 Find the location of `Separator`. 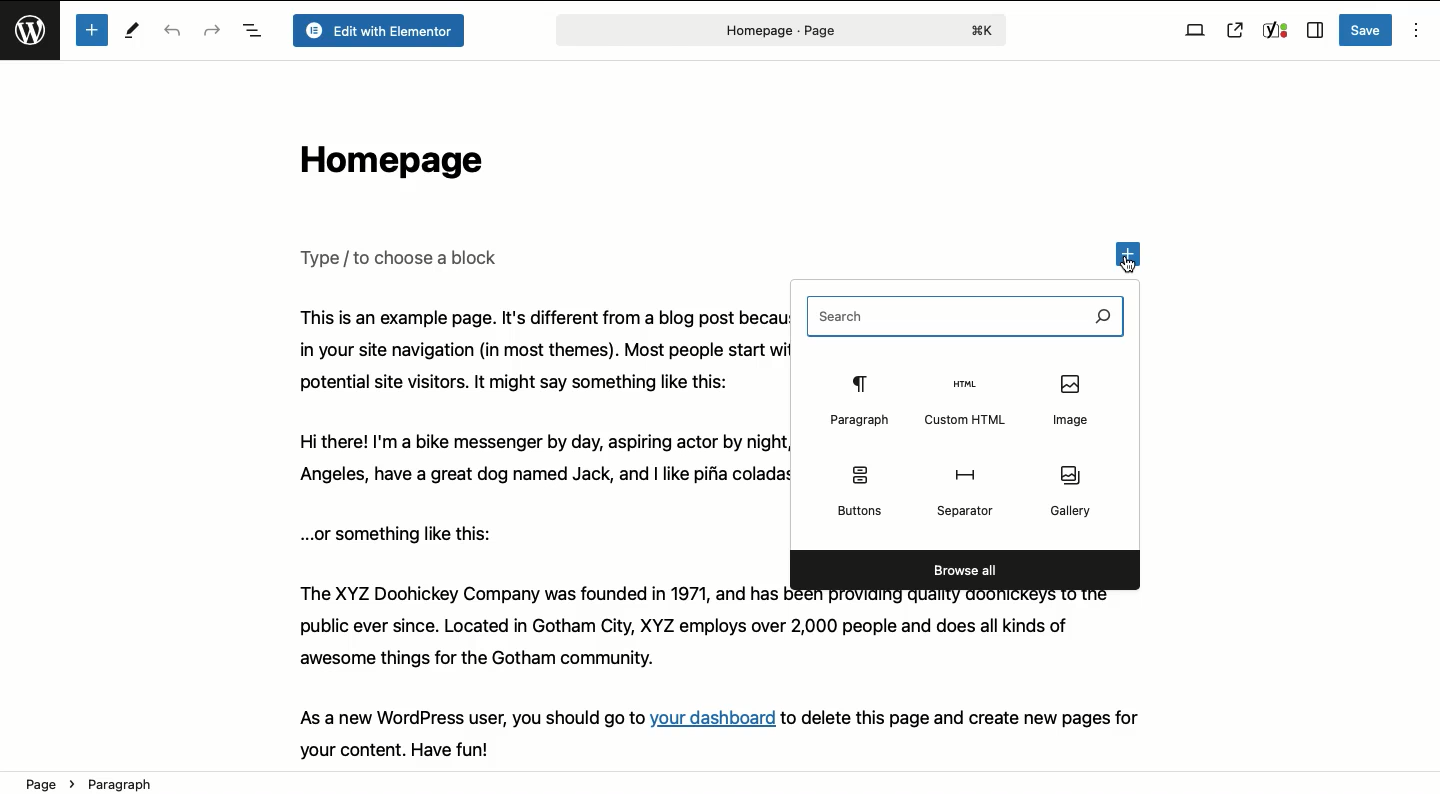

Separator is located at coordinates (968, 494).